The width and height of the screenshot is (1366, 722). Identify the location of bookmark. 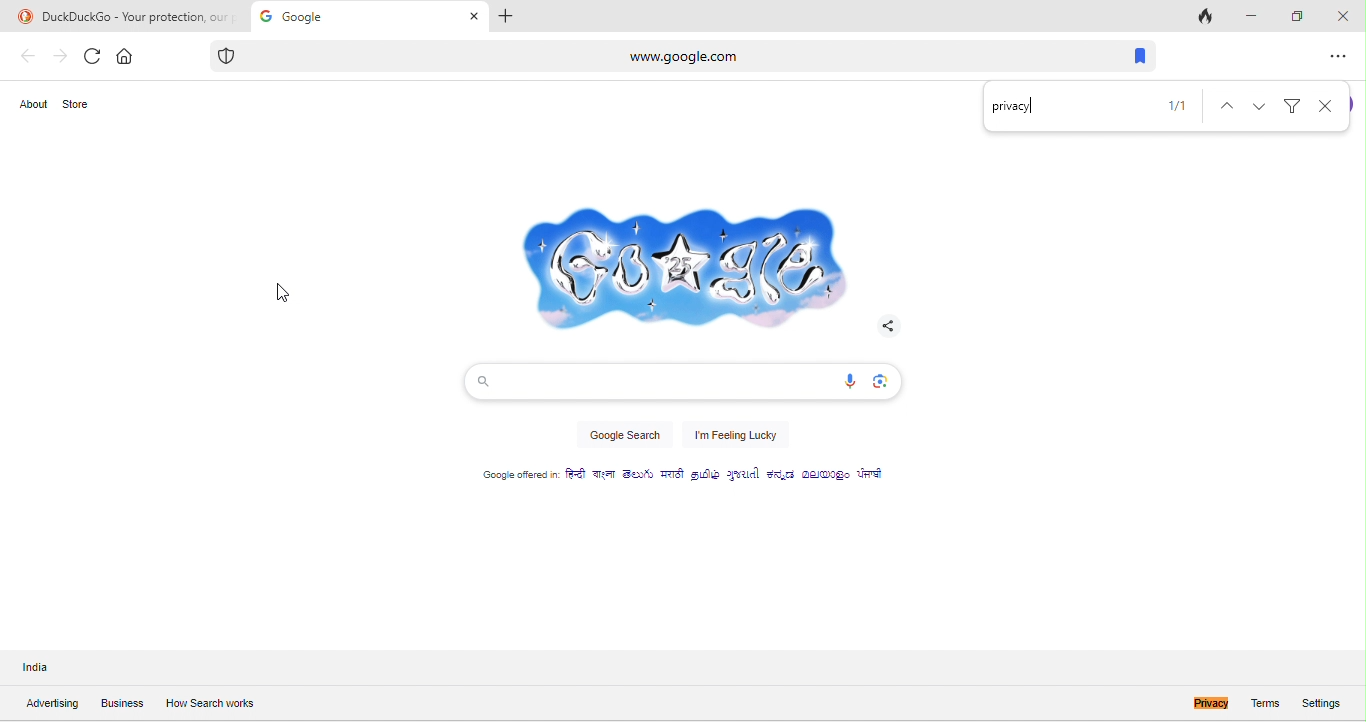
(1134, 56).